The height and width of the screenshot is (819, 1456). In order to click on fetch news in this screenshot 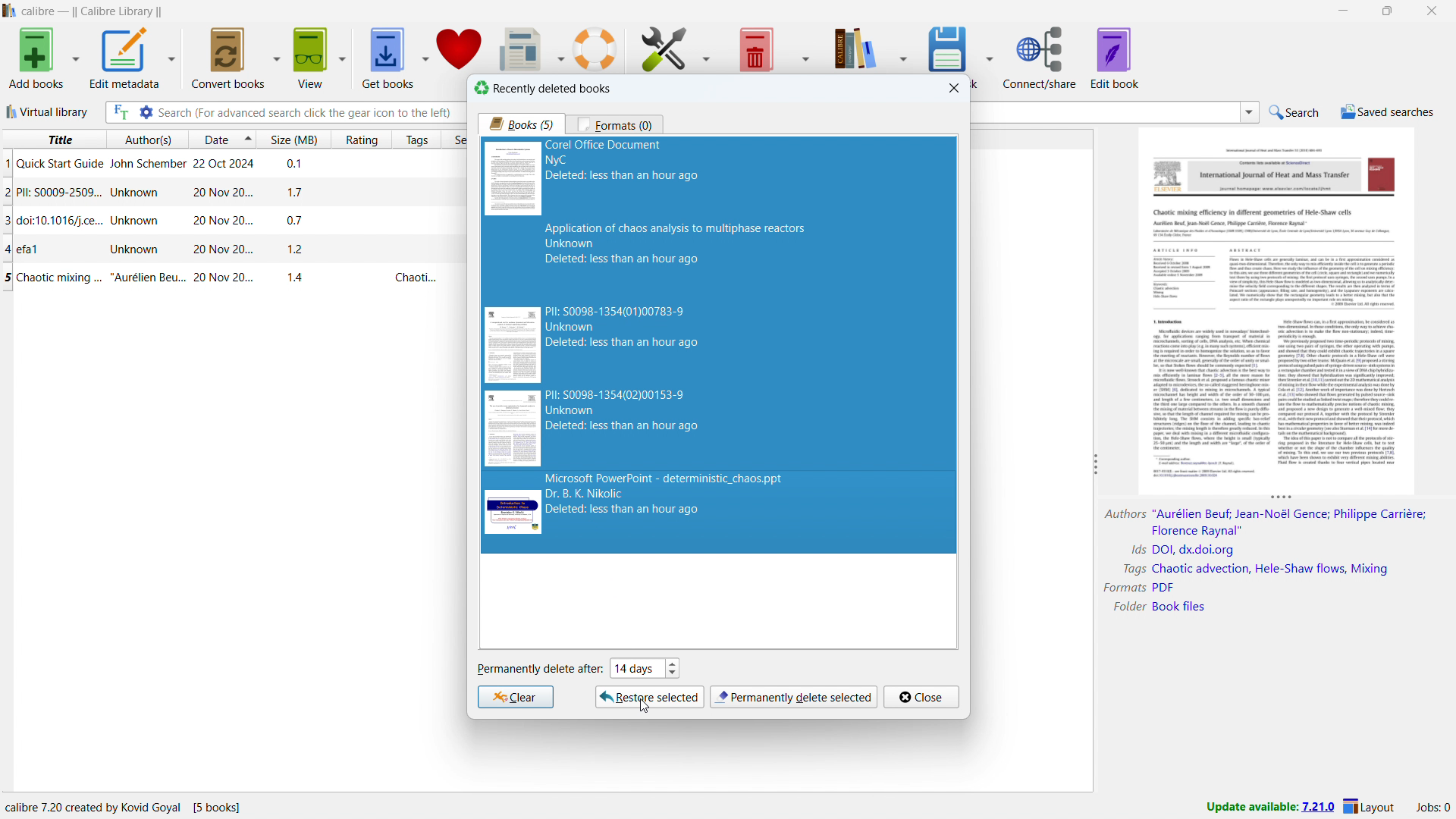, I will do `click(519, 47)`.